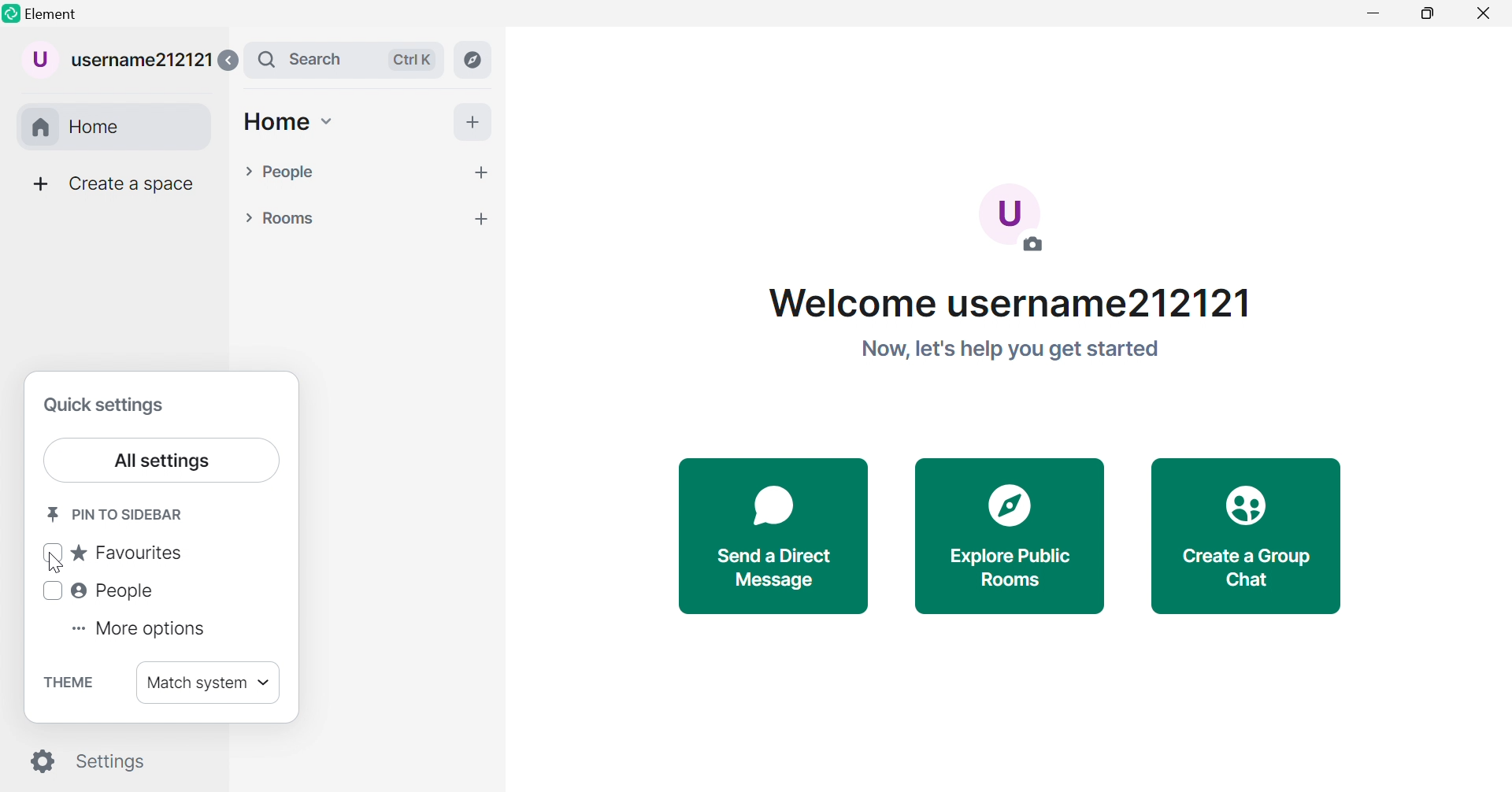 This screenshot has width=1512, height=792. What do you see at coordinates (1247, 508) in the screenshot?
I see `Icon` at bounding box center [1247, 508].